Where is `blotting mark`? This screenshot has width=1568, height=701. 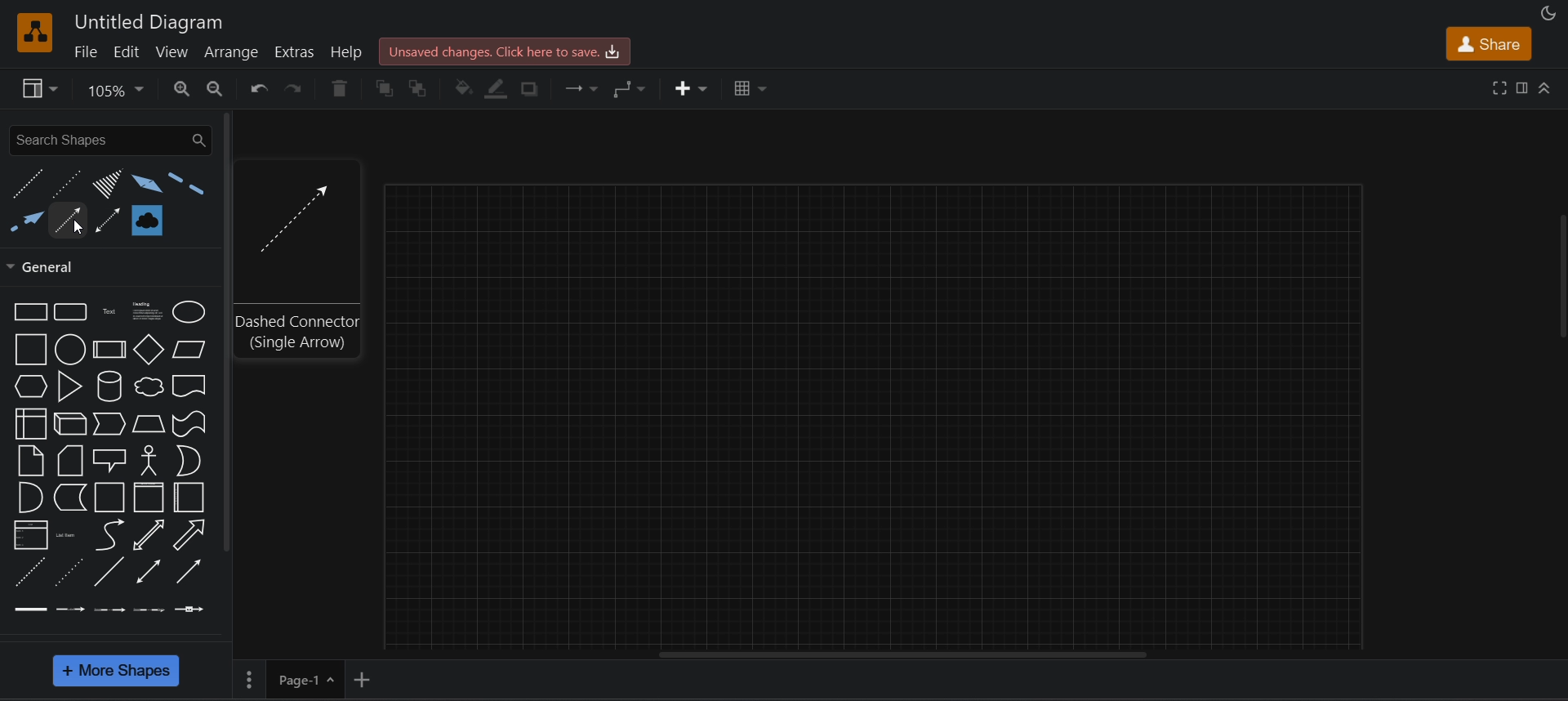 blotting mark is located at coordinates (145, 218).